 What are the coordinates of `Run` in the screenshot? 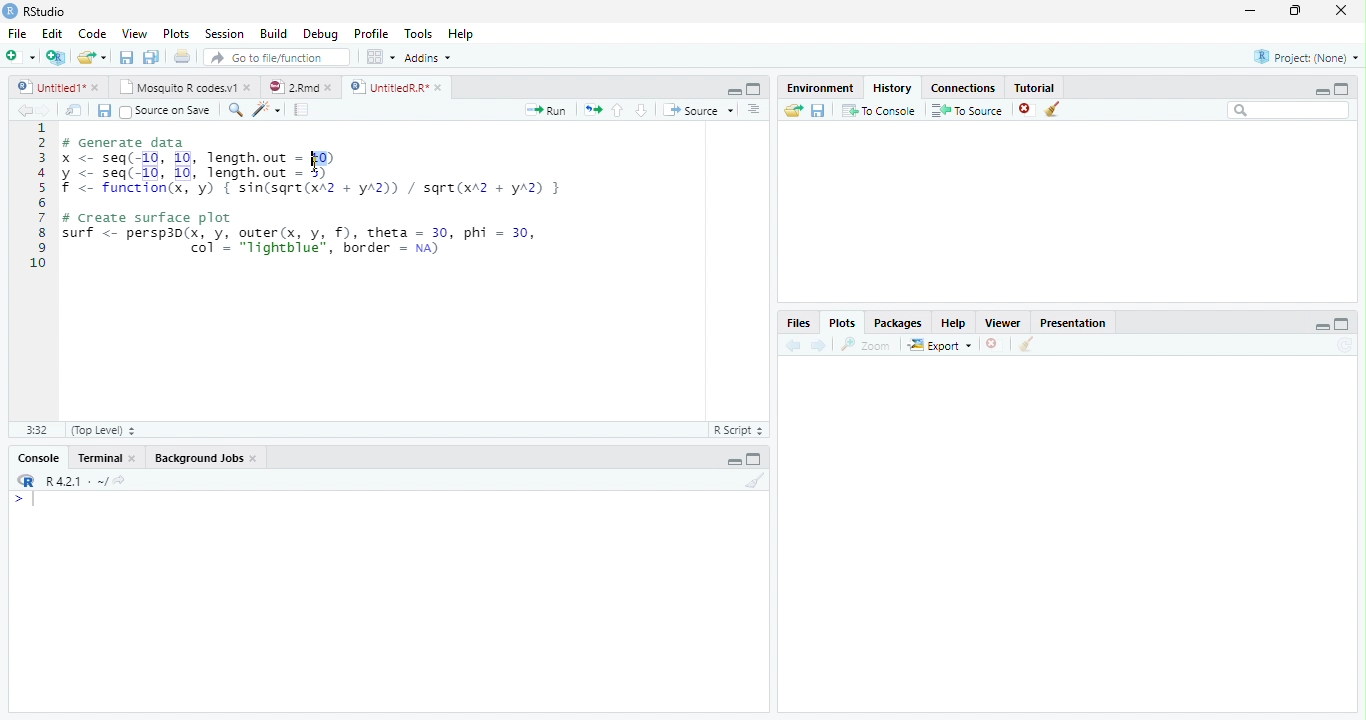 It's located at (544, 110).